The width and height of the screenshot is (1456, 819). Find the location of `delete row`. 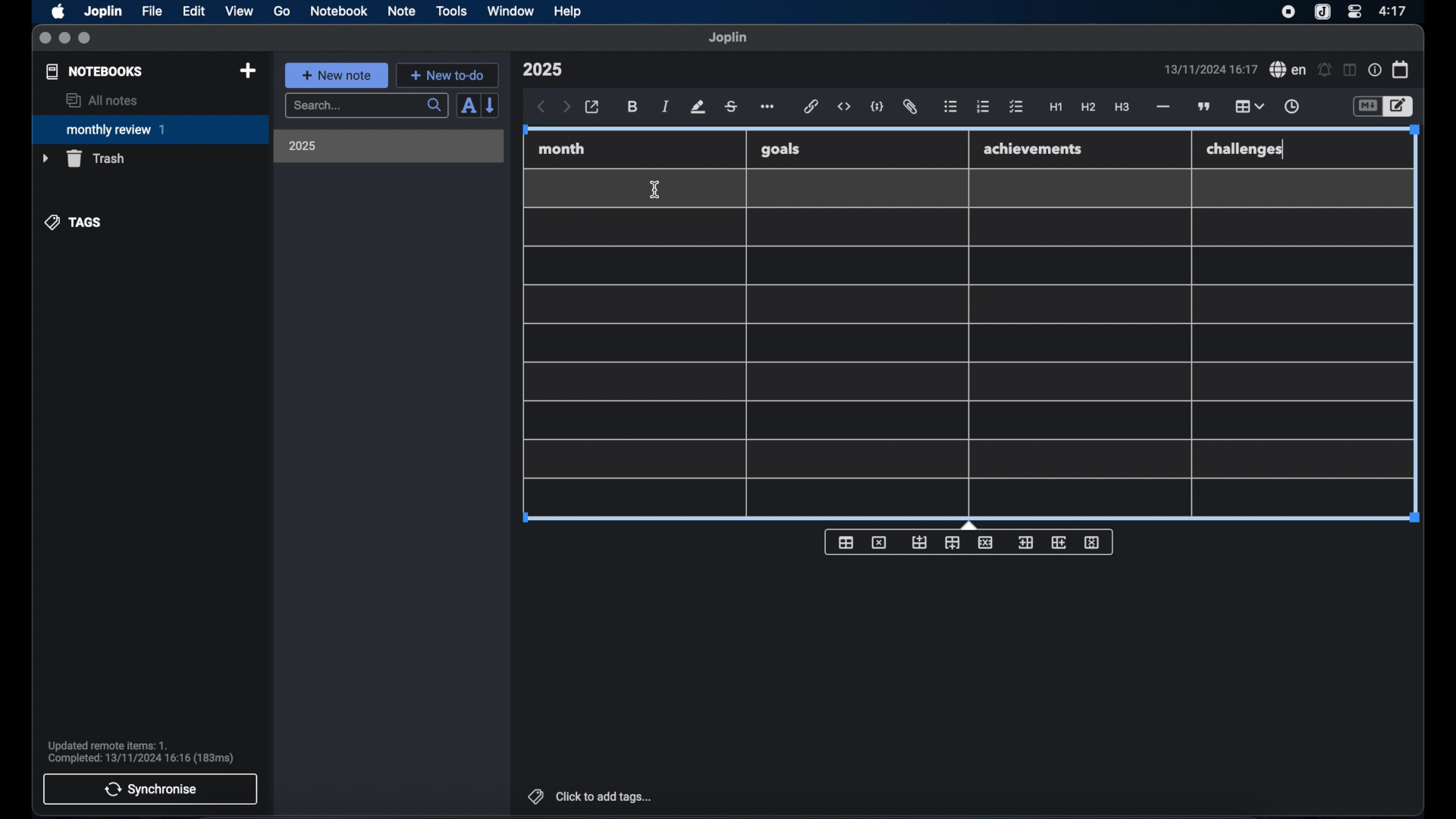

delete row is located at coordinates (987, 541).